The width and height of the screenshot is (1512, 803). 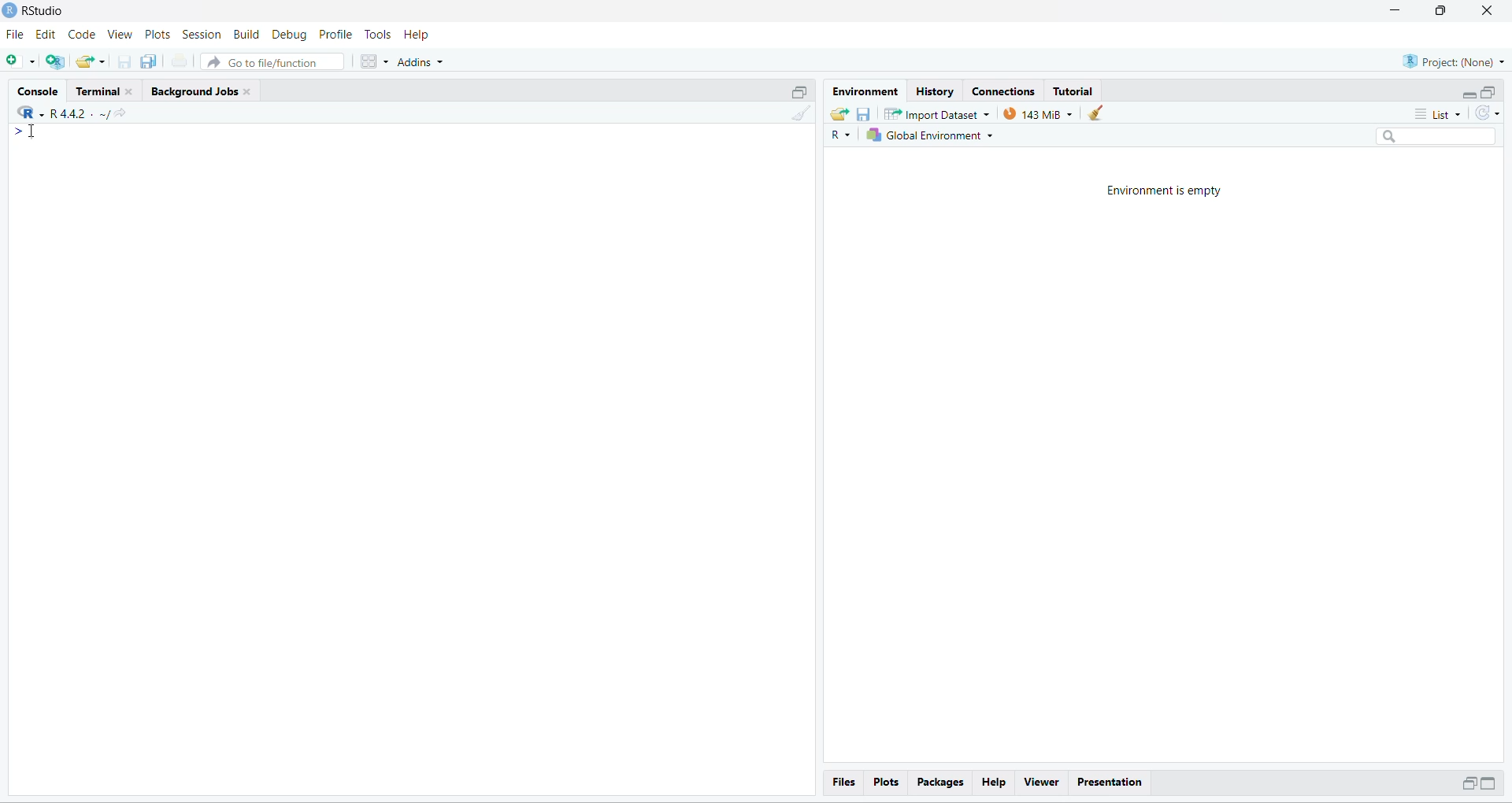 I want to click on Connections , so click(x=1008, y=92).